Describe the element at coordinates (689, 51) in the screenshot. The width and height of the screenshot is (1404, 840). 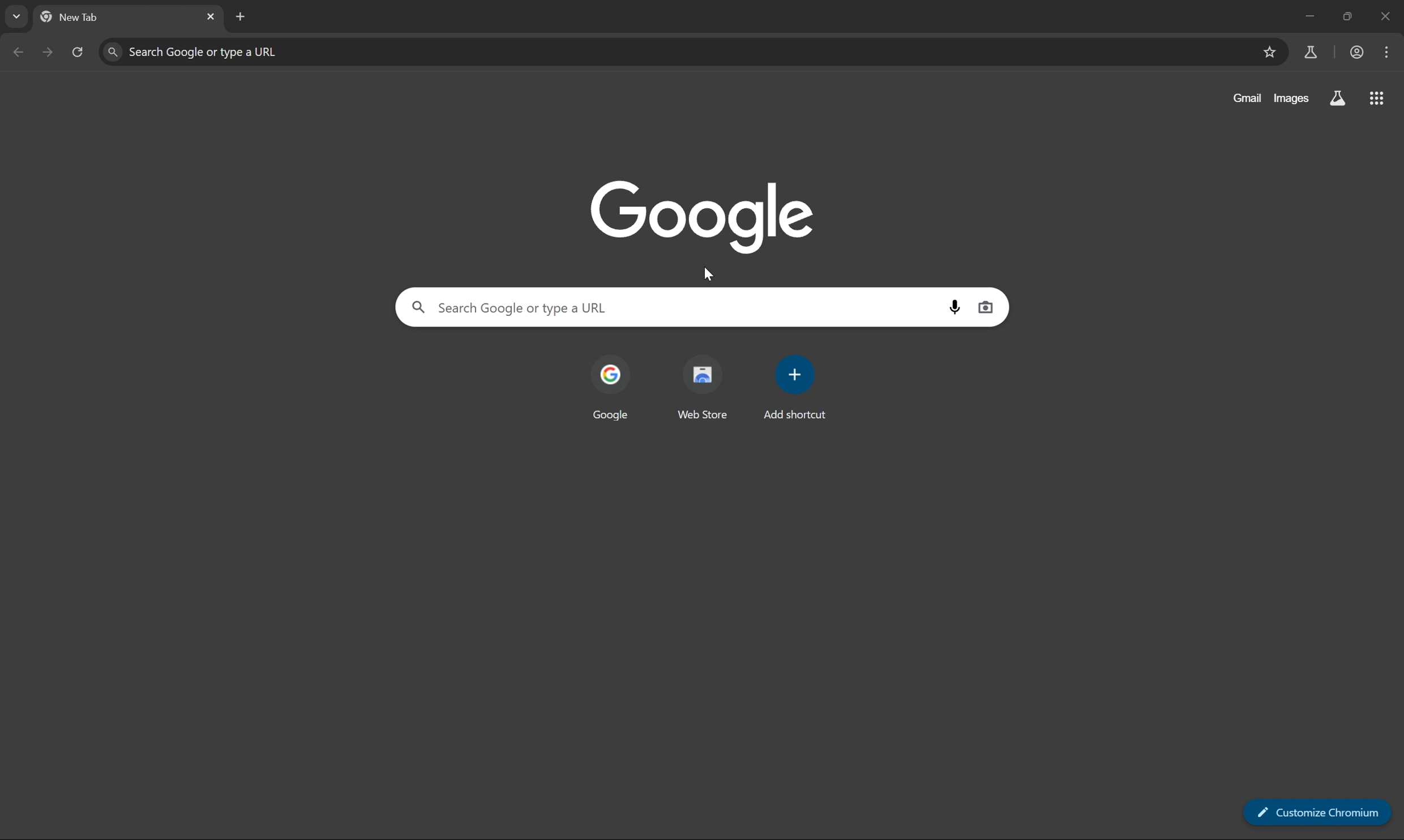
I see `search Google or type a URL` at that location.